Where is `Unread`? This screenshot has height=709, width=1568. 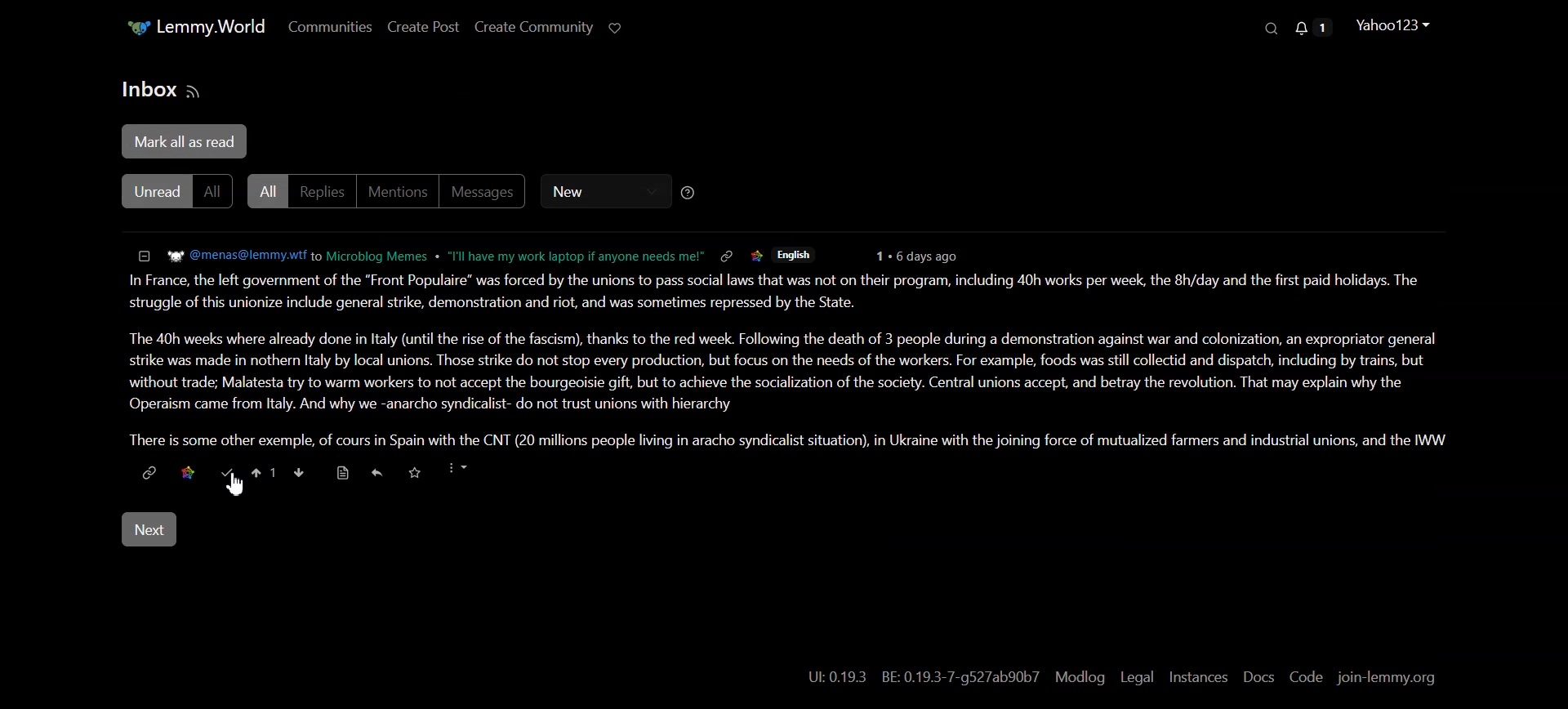 Unread is located at coordinates (156, 191).